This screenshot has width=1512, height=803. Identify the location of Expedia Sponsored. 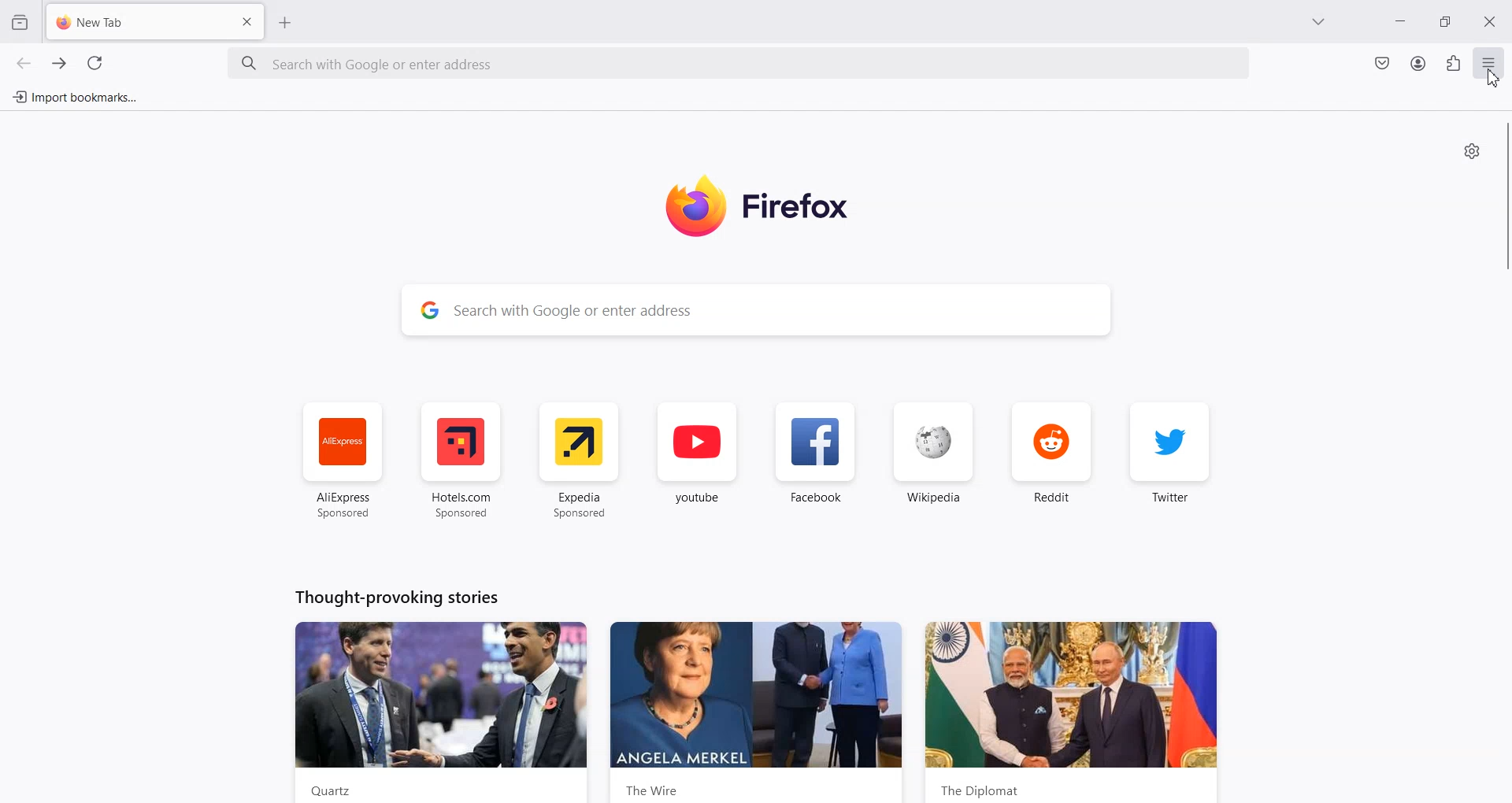
(580, 460).